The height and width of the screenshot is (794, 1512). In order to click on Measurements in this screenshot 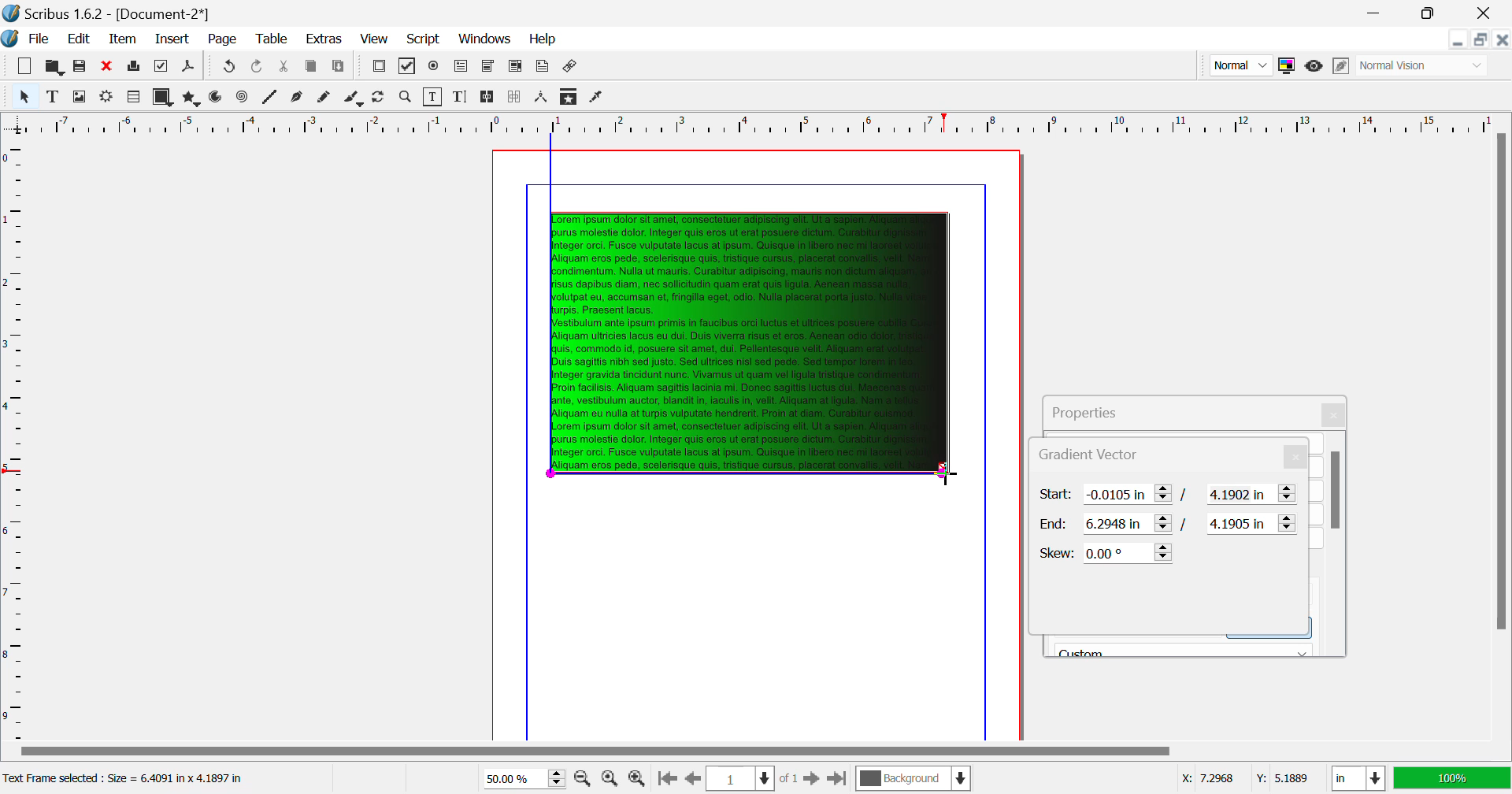, I will do `click(543, 98)`.